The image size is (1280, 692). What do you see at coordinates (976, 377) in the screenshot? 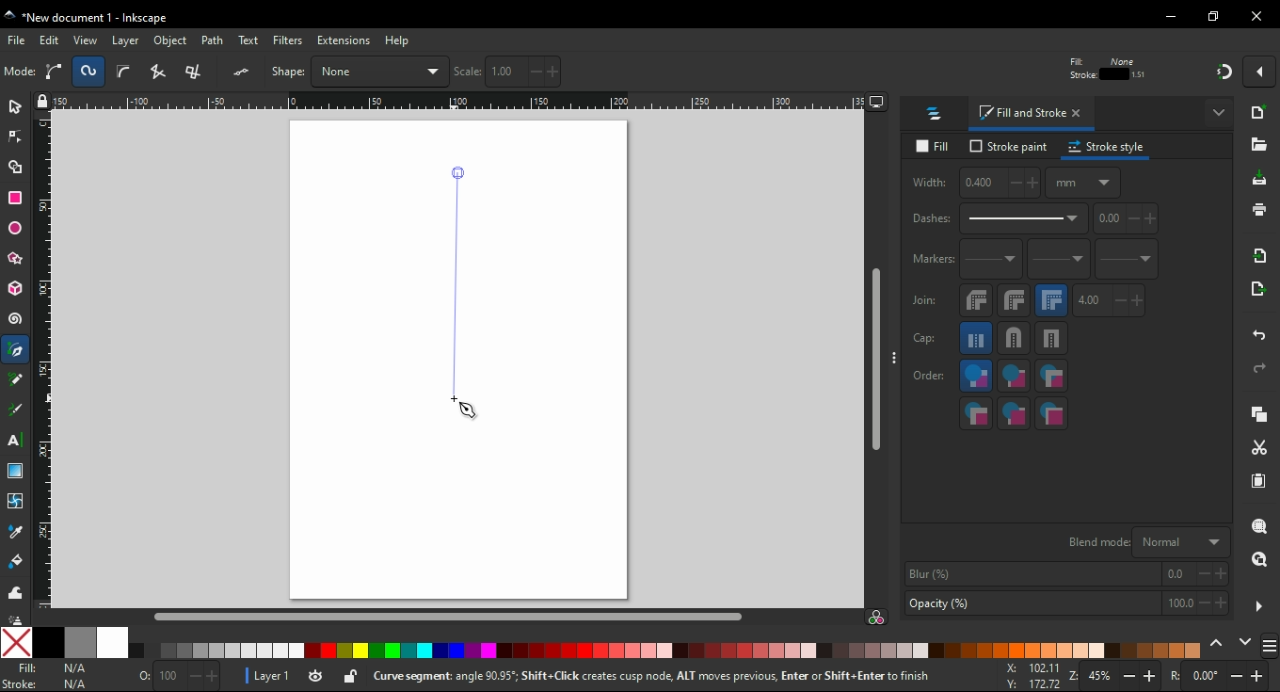
I see `fill,stroke,markers` at bounding box center [976, 377].